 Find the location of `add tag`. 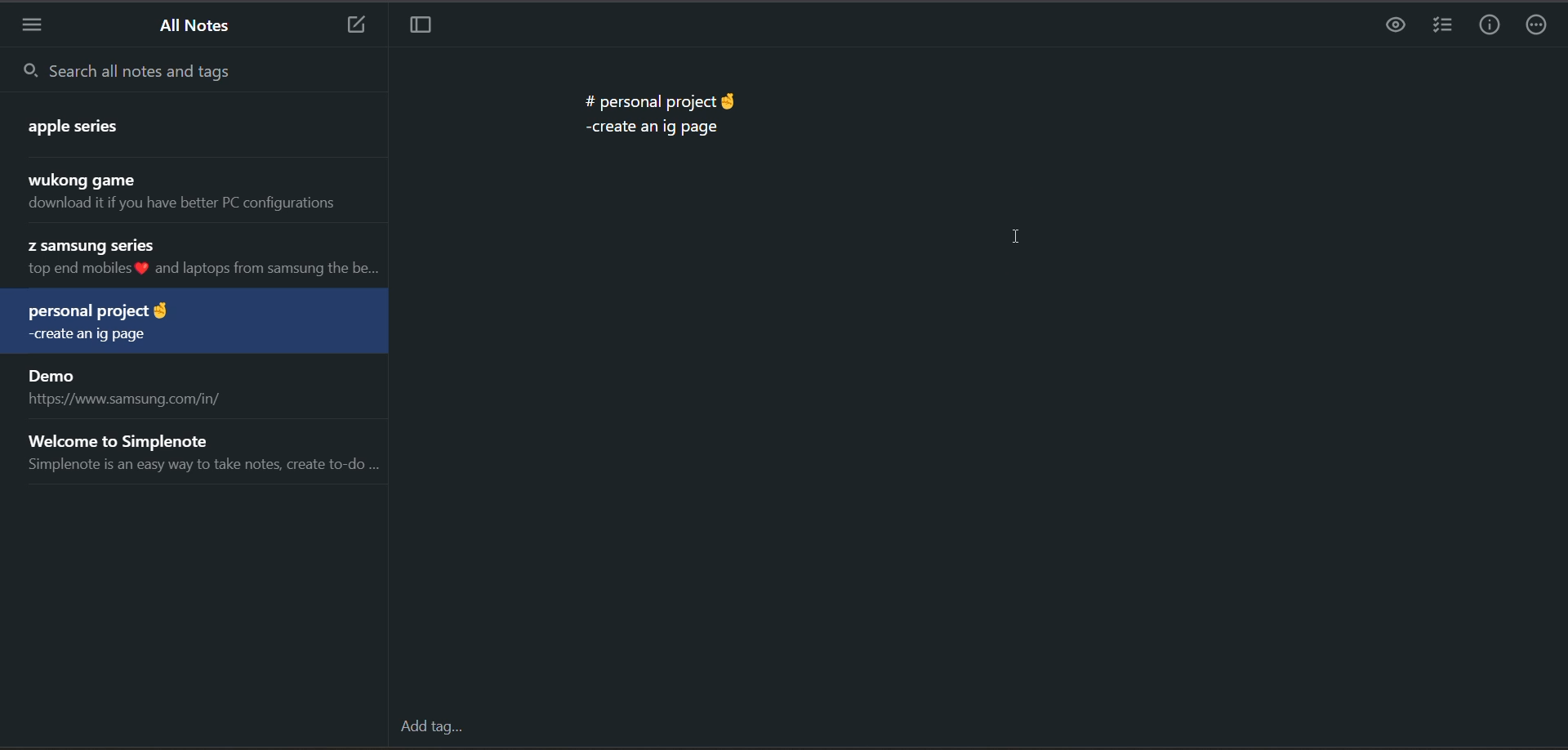

add tag is located at coordinates (434, 730).